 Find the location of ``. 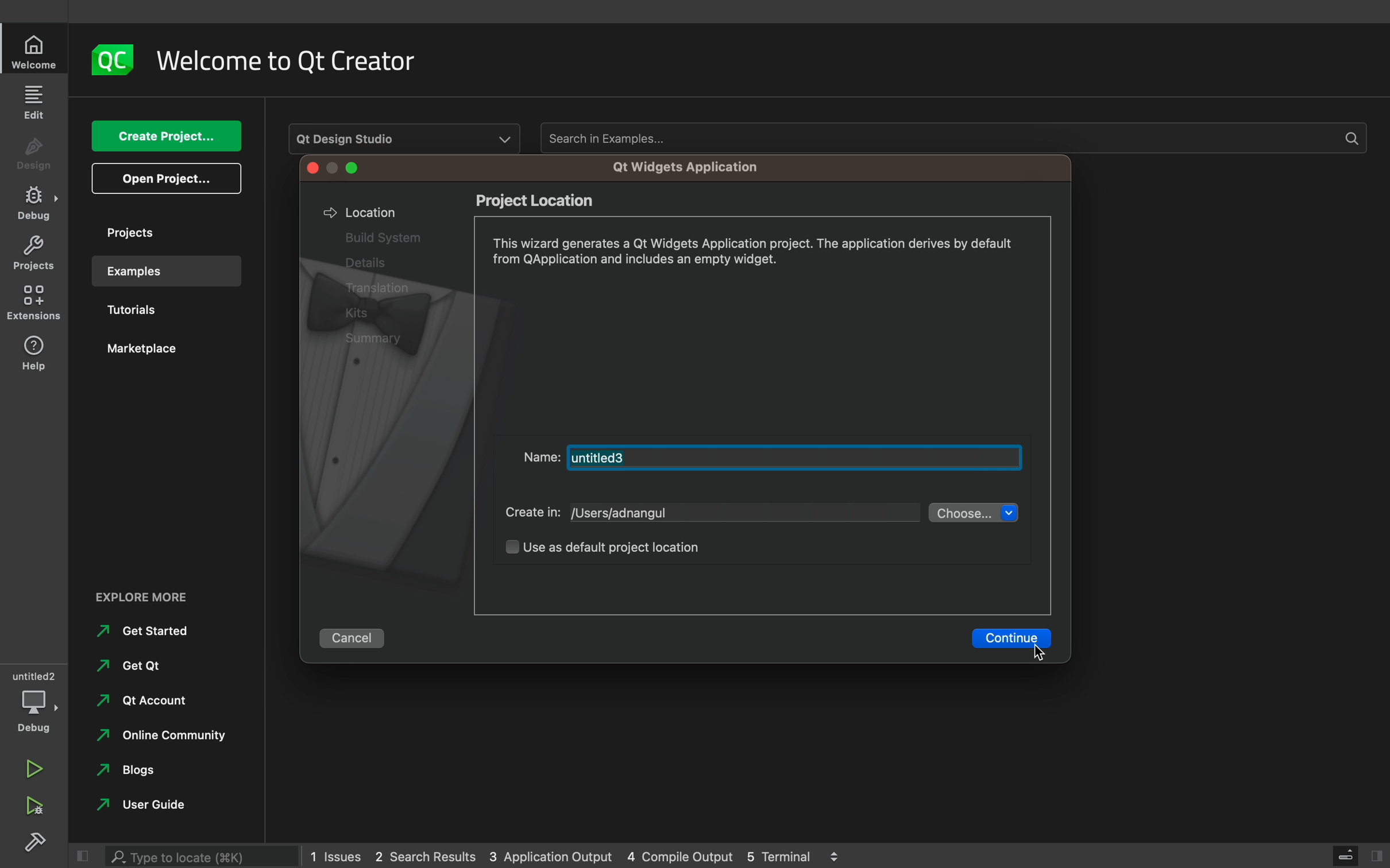

 is located at coordinates (130, 774).